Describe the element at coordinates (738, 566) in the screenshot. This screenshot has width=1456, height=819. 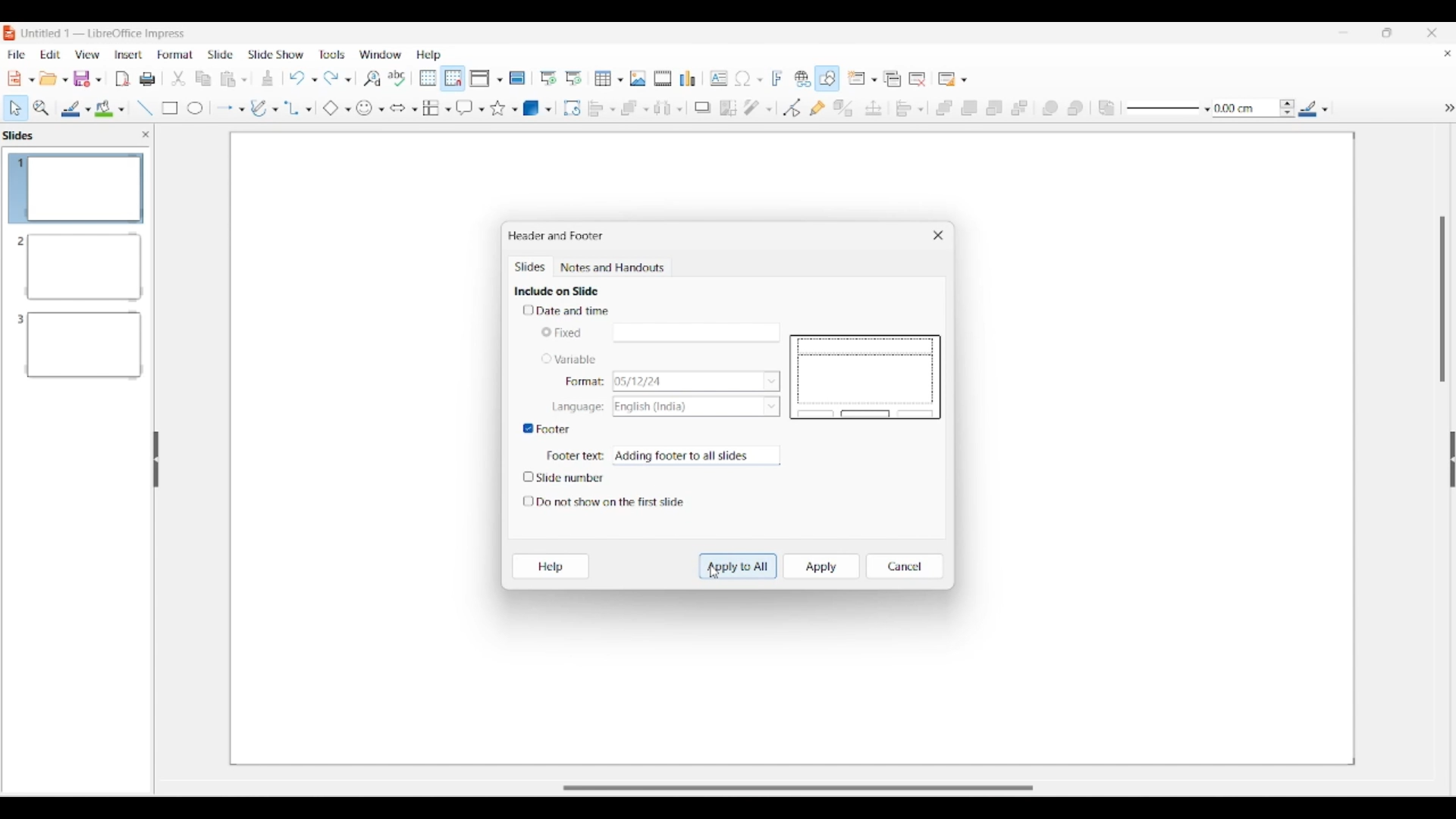
I see `Apply to all highlighted by cursor` at that location.